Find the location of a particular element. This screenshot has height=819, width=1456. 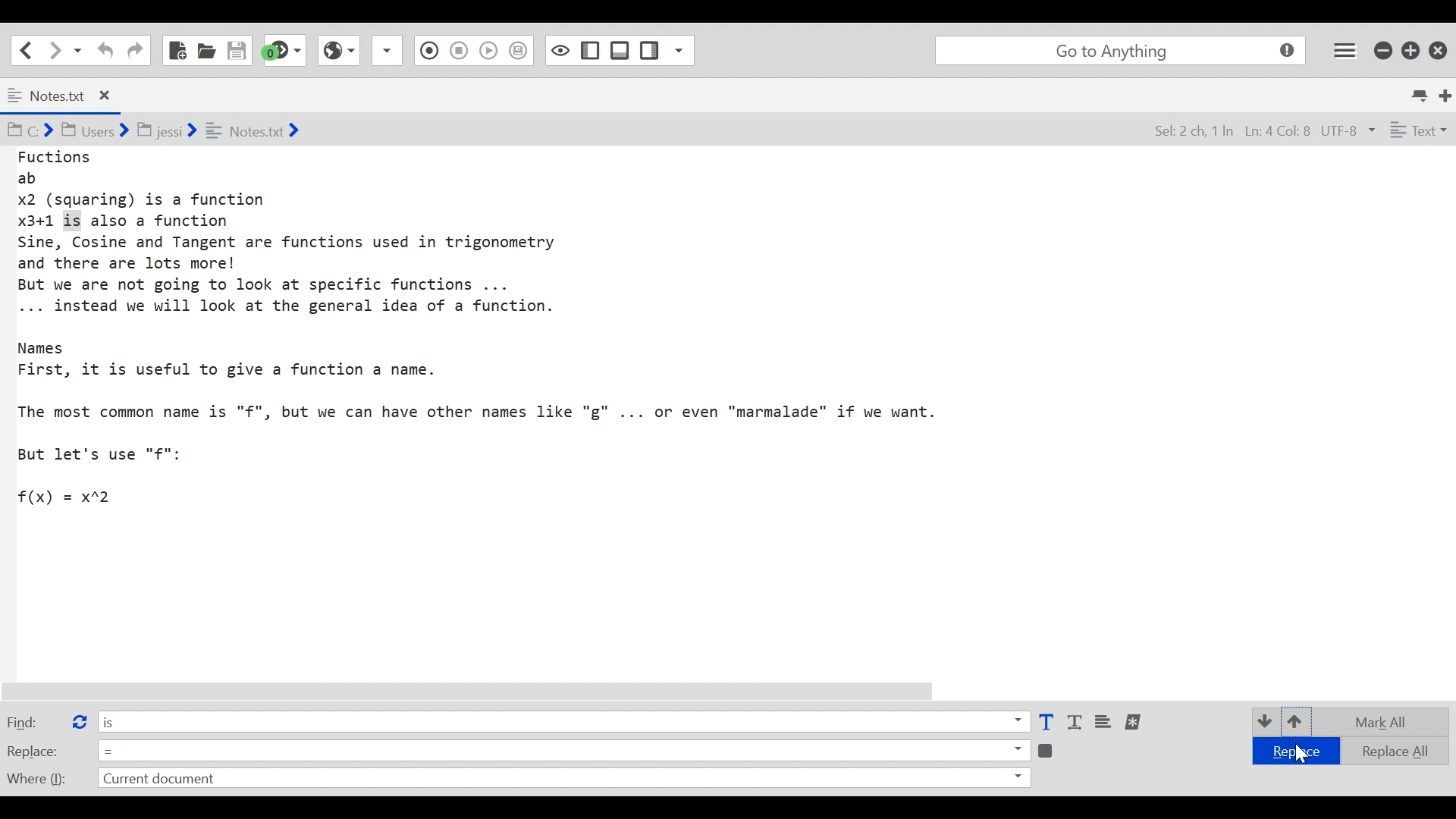

Show/Hide Left Pane is located at coordinates (620, 50).